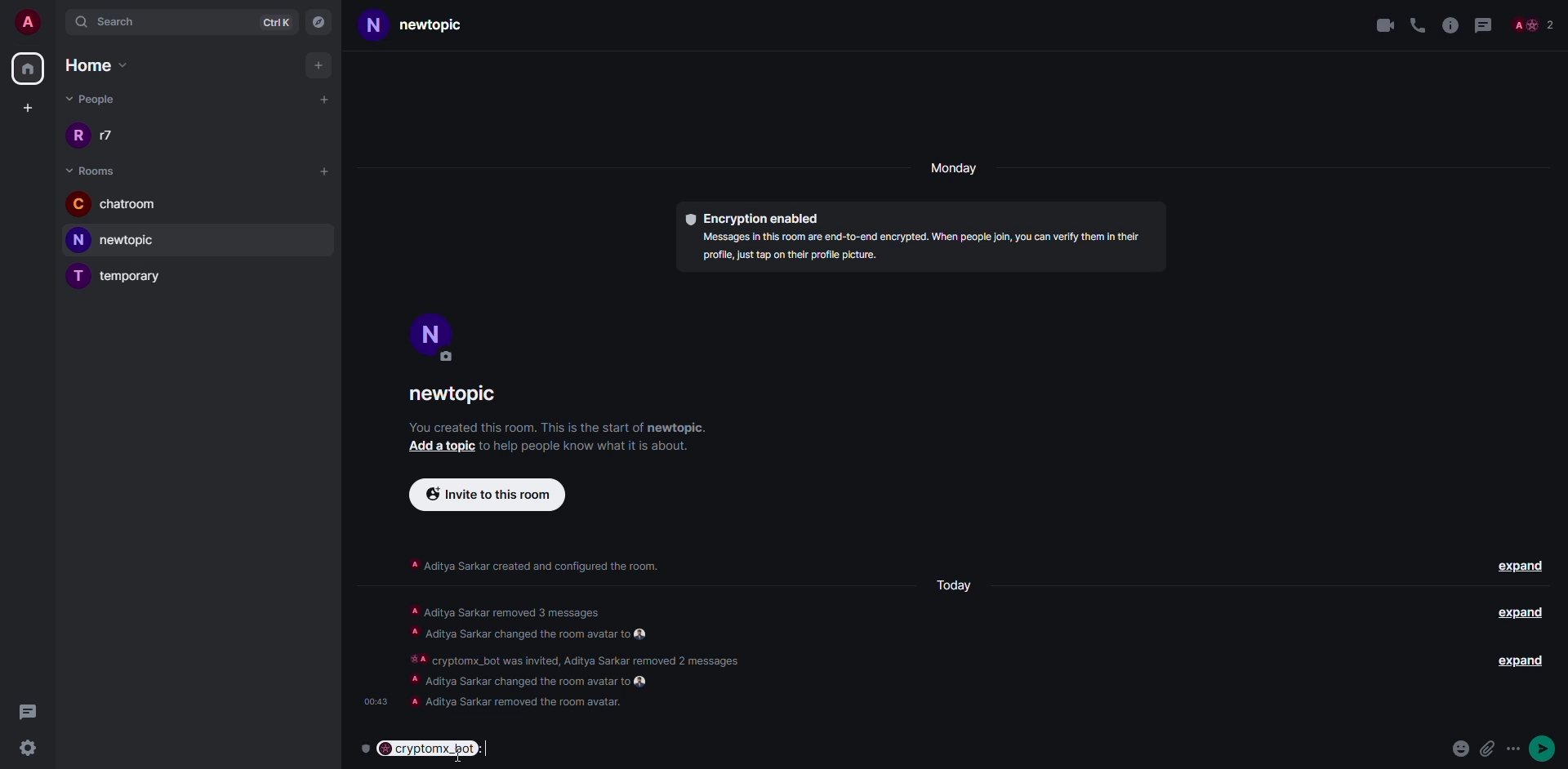  What do you see at coordinates (1450, 23) in the screenshot?
I see `info` at bounding box center [1450, 23].